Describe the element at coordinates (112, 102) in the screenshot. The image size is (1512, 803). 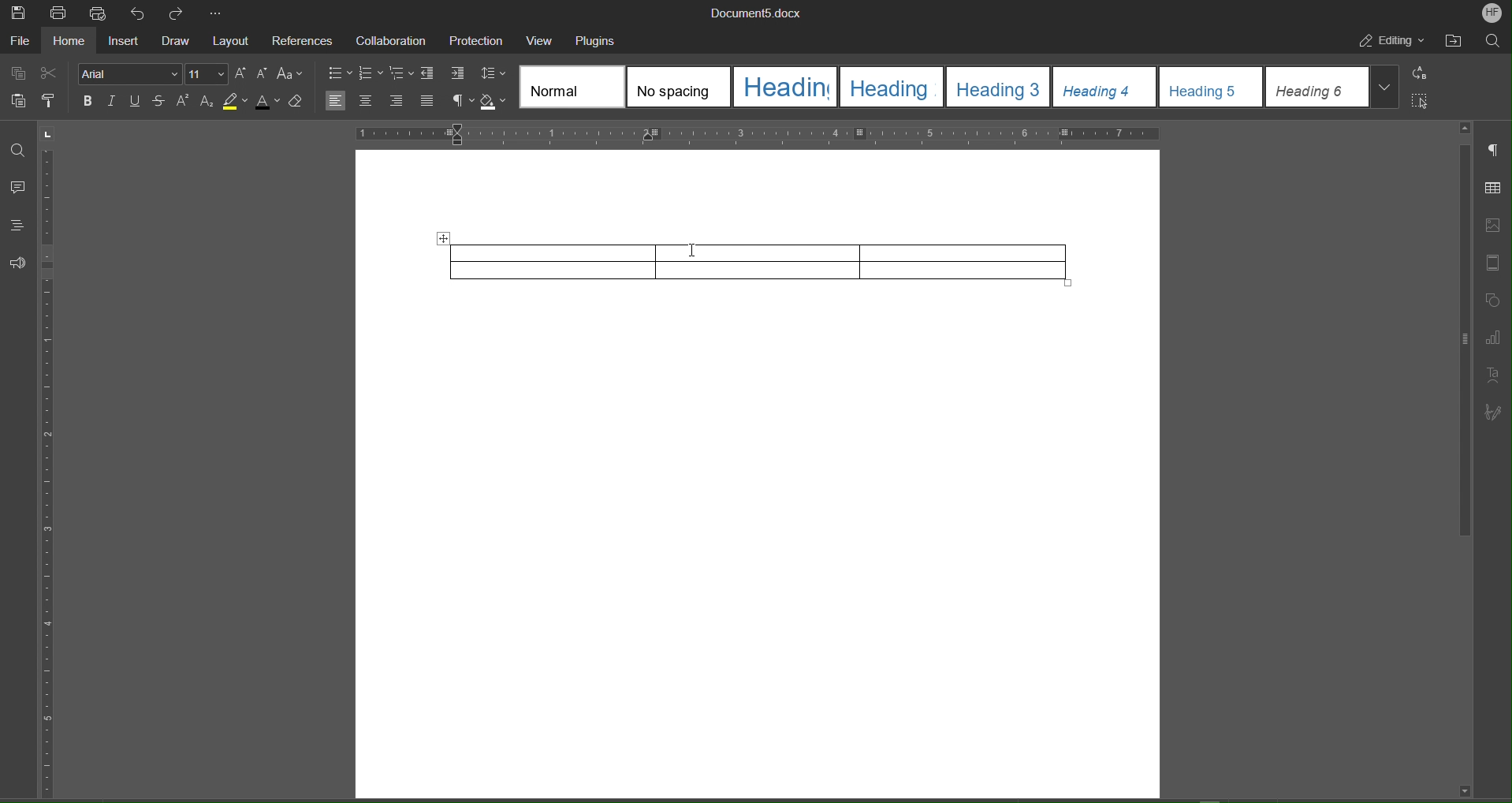
I see `Italic` at that location.